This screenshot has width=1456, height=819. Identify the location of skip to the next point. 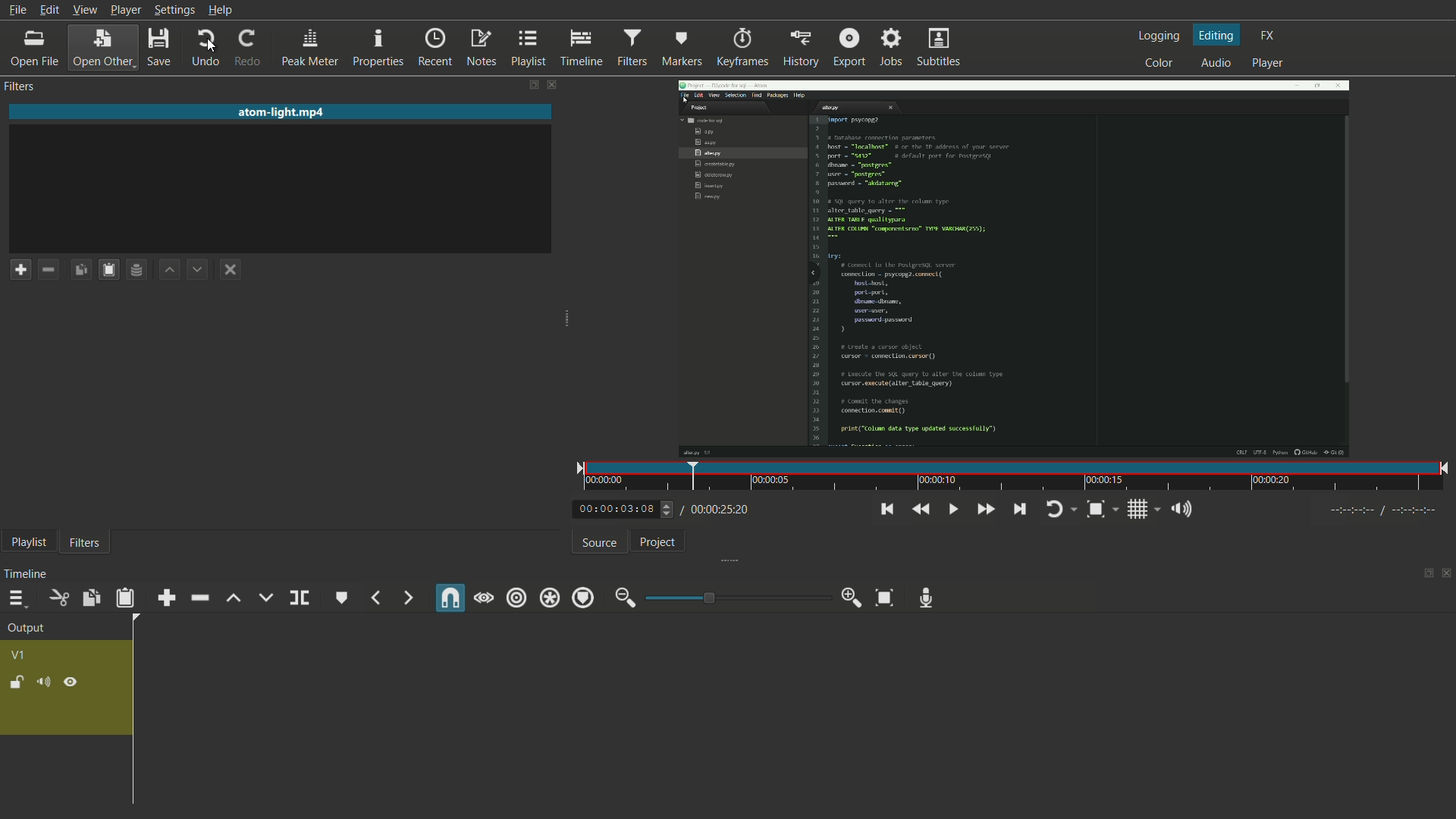
(1021, 509).